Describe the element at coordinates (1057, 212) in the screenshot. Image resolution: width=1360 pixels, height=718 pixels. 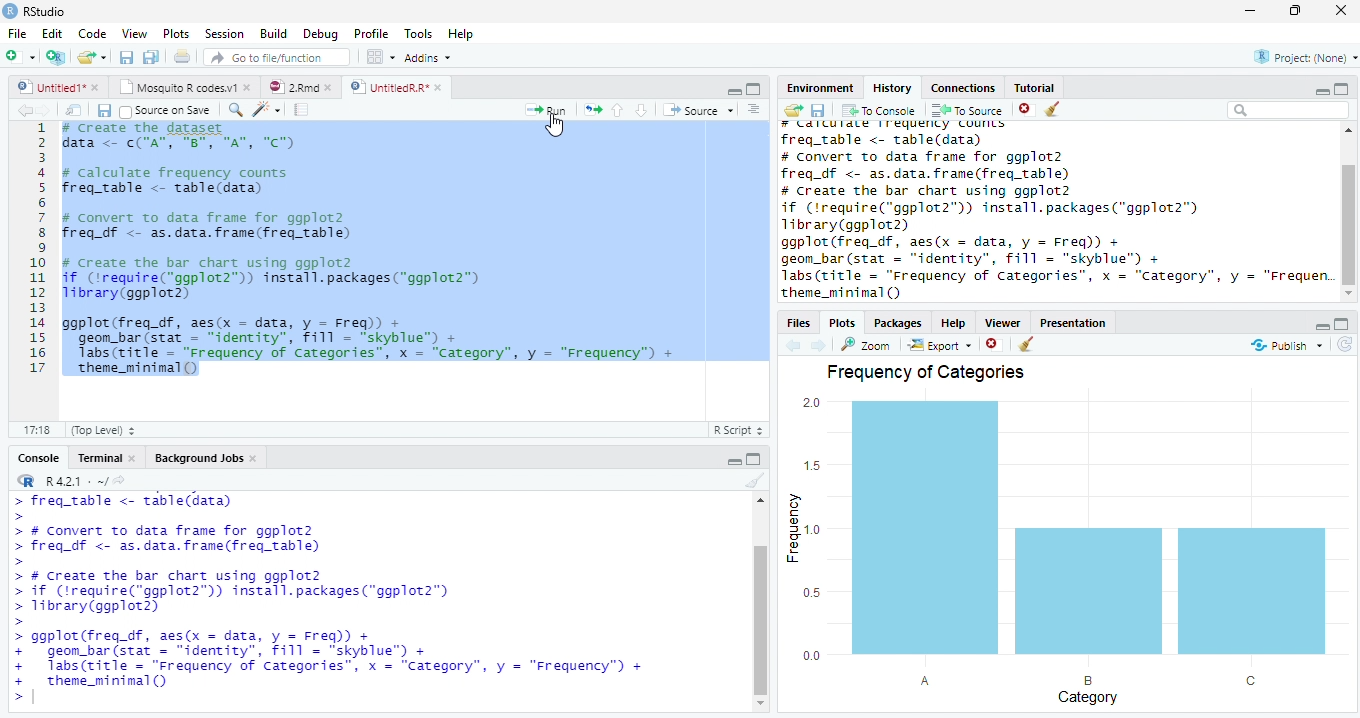
I see `UTA “Ur SERSeS—
# Convert to data frame for ggplot2

freq_df <- as.data.frame(freq_table)

# Create the bar chart using ggplot2

if (!require(“ggplot2")) install.packages("ggplot2”)
Tibrary(ggplot2)

ggplot (freq df, aes(x = data, y = Freq)) +

geom_bar (stat = “identity”, fill = "skyblue") +

Tabs (title = "Frequency of Categories”, x = “Category”, y = "Frequen.
theme slelen Bf)` at that location.